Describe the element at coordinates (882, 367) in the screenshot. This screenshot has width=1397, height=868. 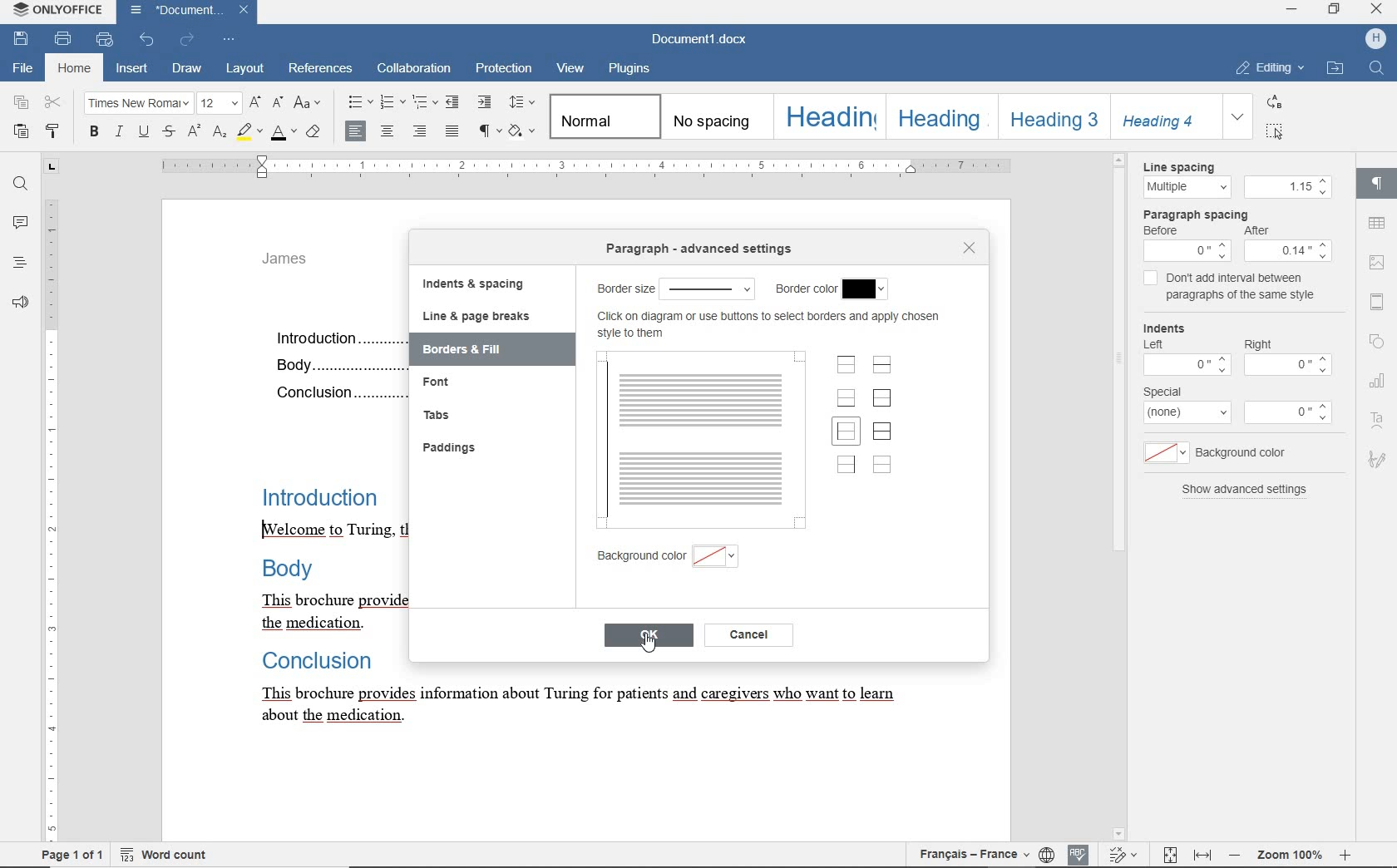
I see `set horizontal inner lines only` at that location.